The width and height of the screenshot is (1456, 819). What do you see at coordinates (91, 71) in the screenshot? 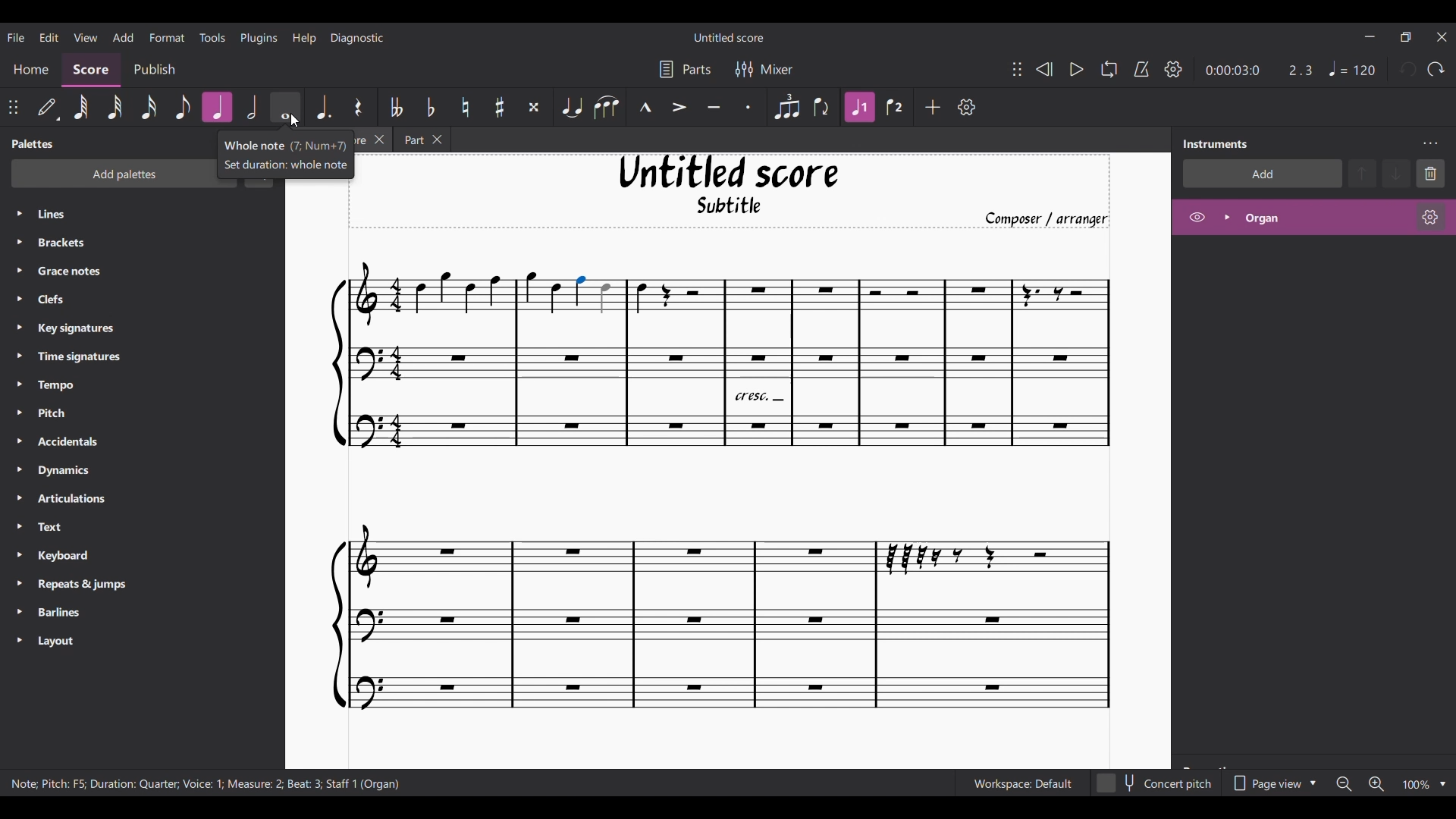
I see `Score section, highlighted` at bounding box center [91, 71].